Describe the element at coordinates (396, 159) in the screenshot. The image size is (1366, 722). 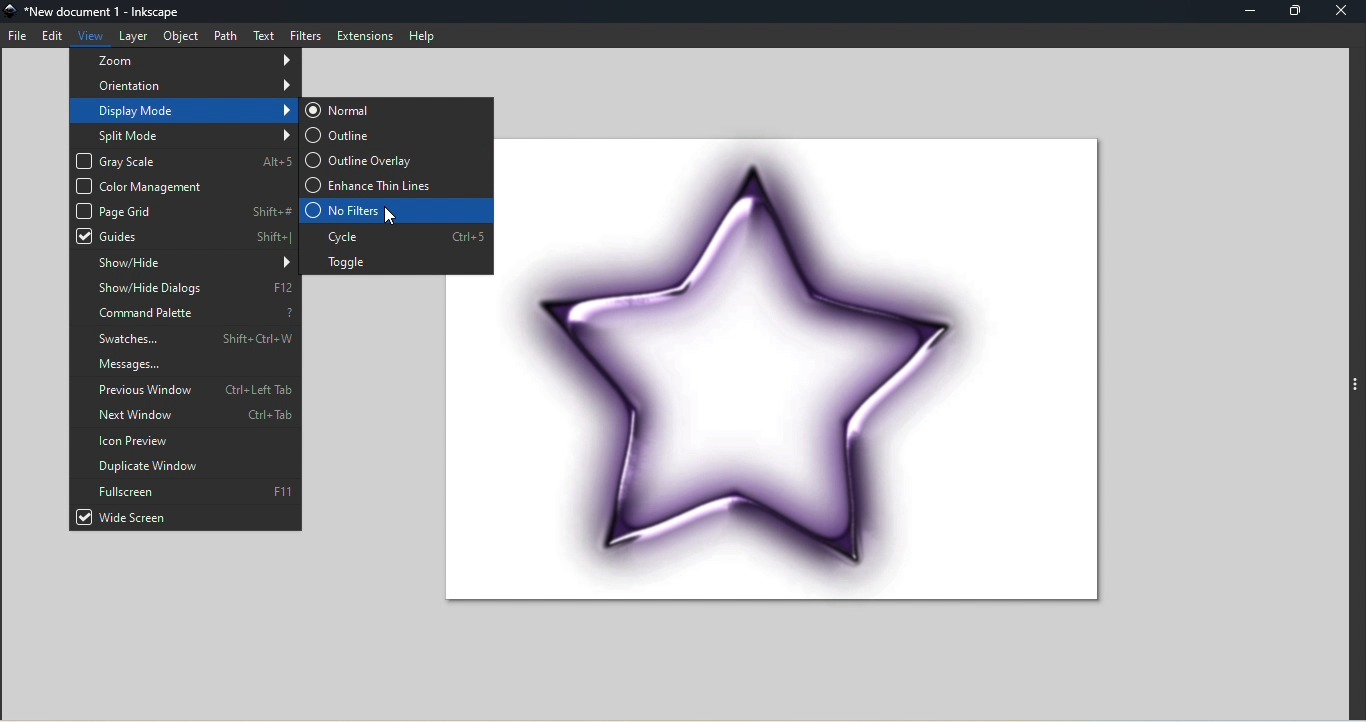
I see `Outline overlay` at that location.